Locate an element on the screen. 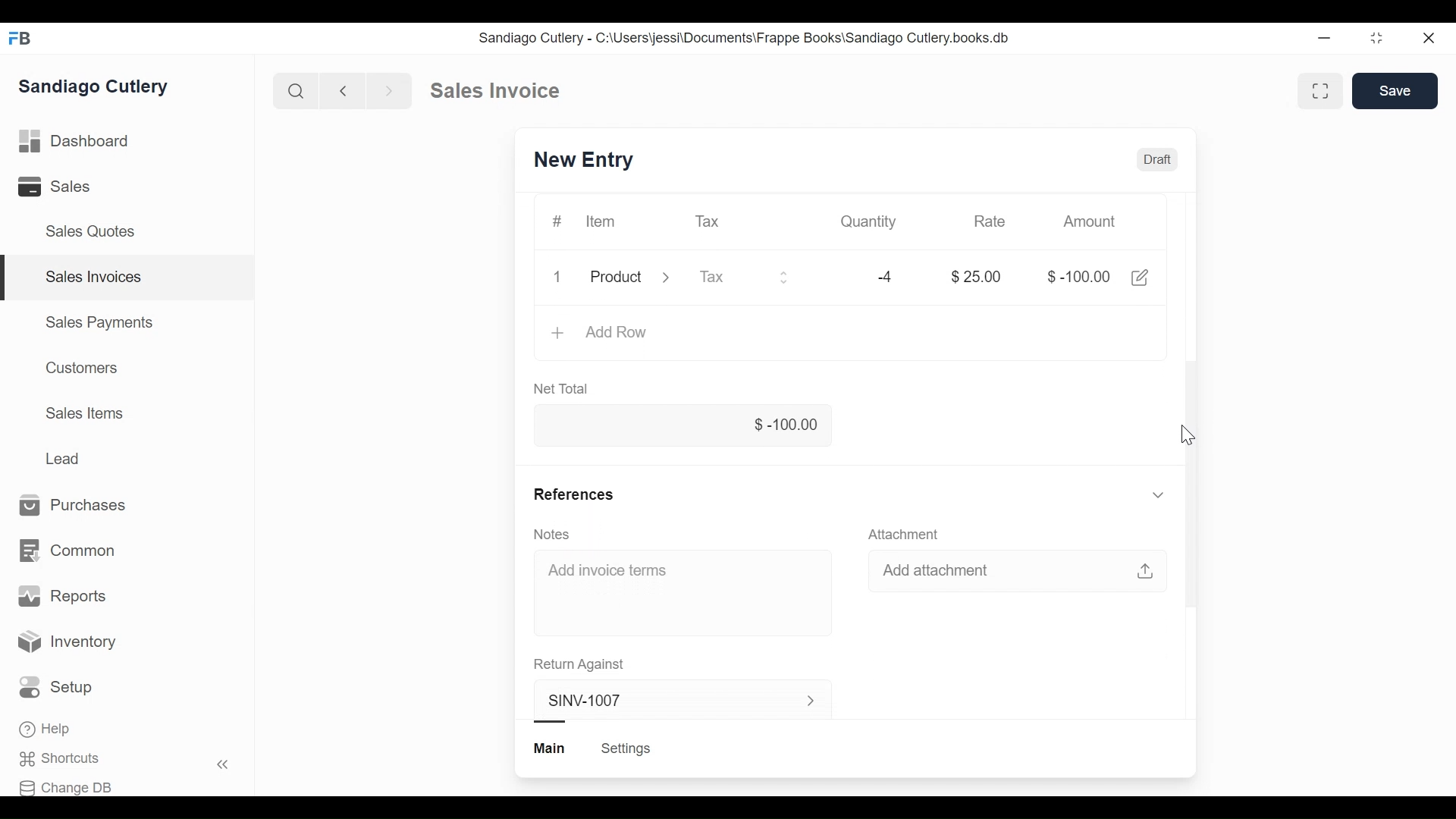 The width and height of the screenshot is (1456, 819).  Help is located at coordinates (45, 729).